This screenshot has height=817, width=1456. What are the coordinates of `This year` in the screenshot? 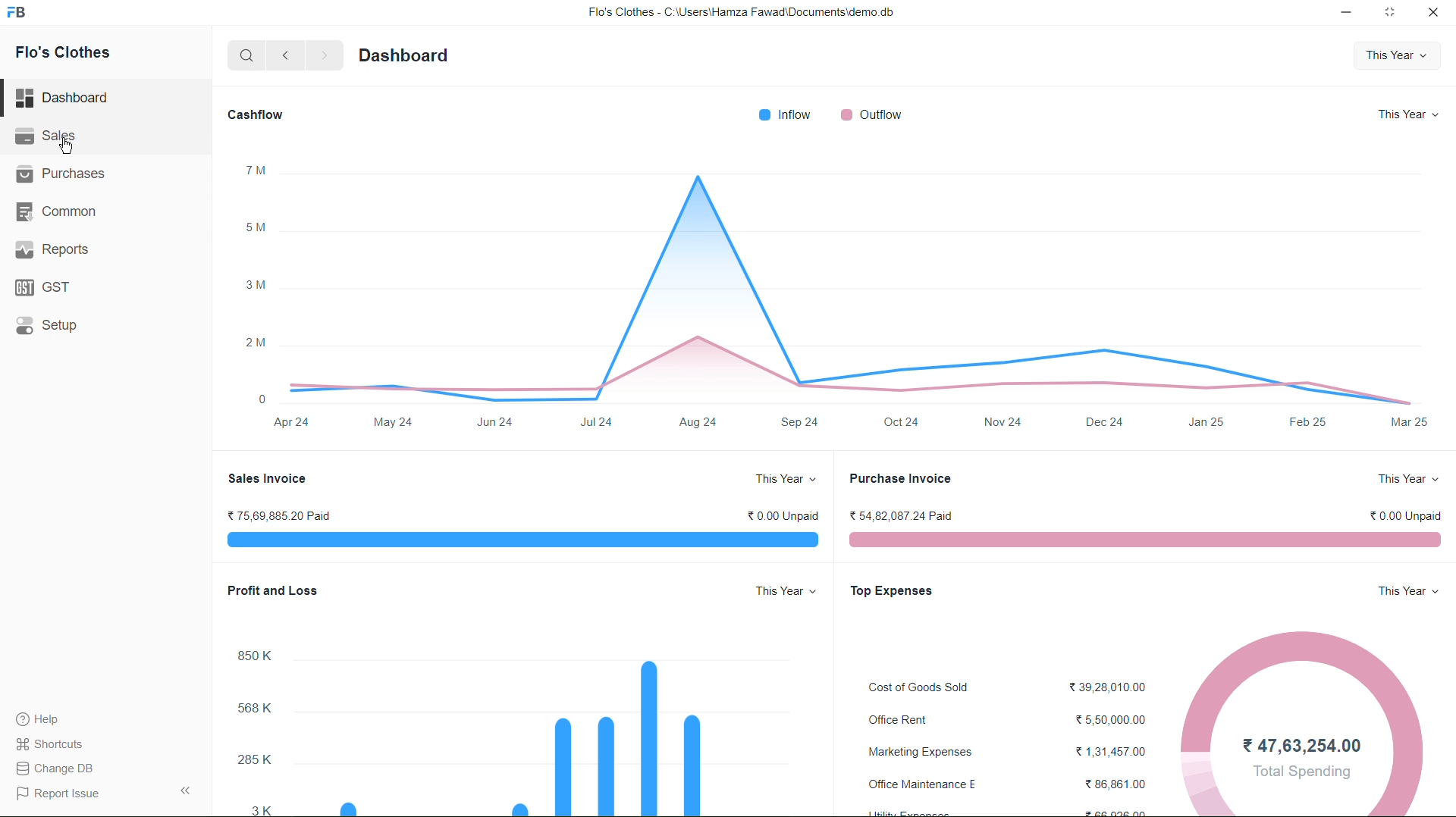 It's located at (1402, 55).